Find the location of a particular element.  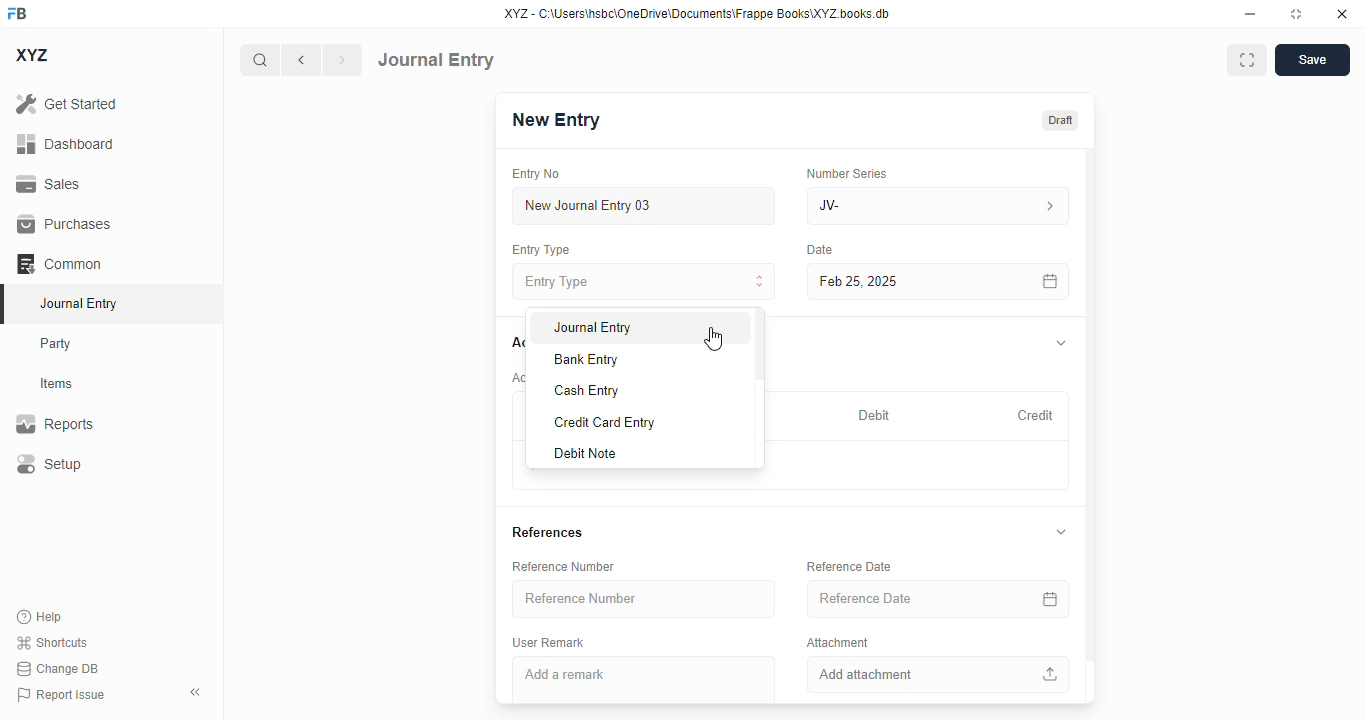

entry type is located at coordinates (539, 249).